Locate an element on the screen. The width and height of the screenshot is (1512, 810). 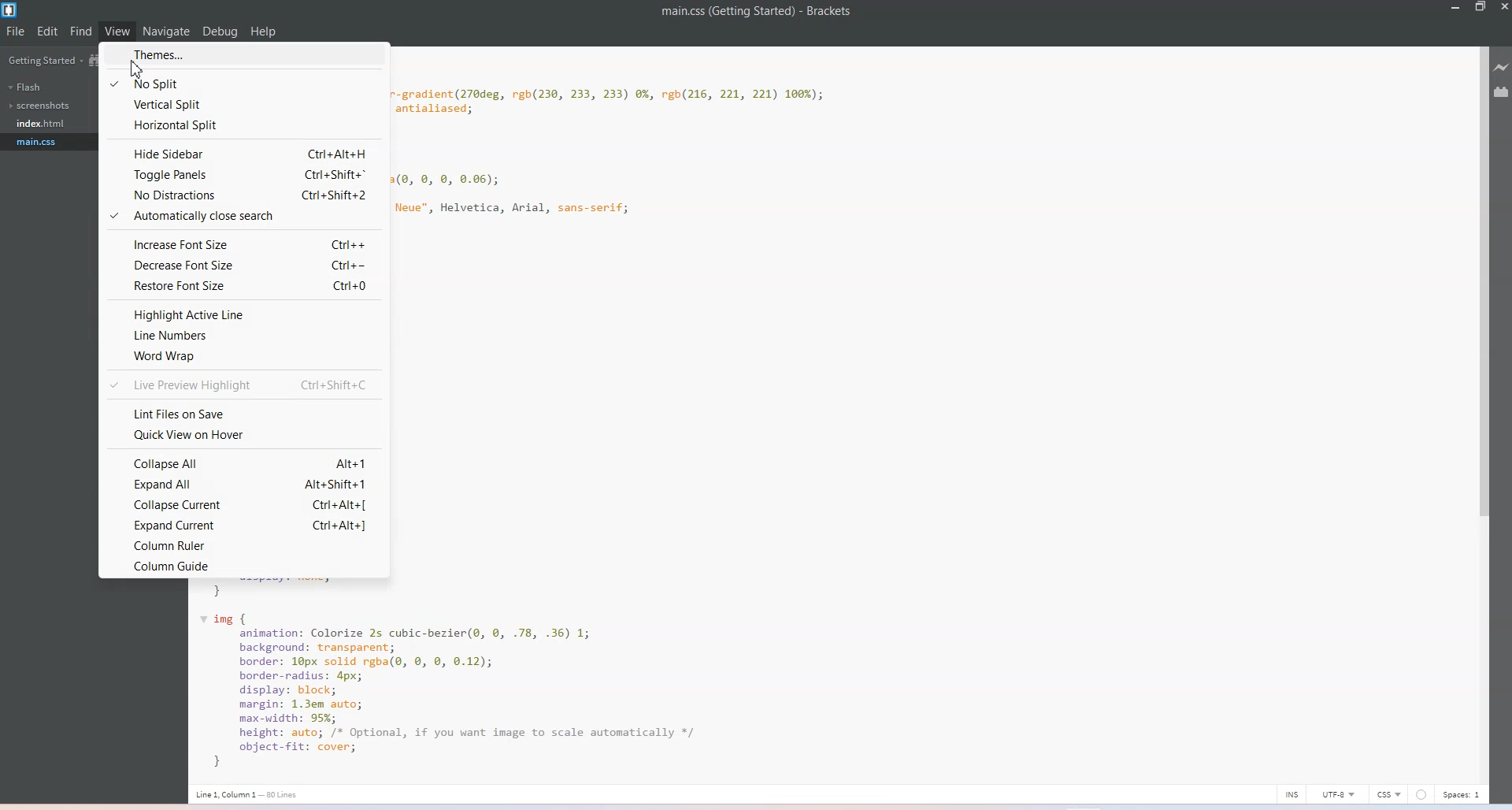
Vertical scroll bar is located at coordinates (1478, 411).